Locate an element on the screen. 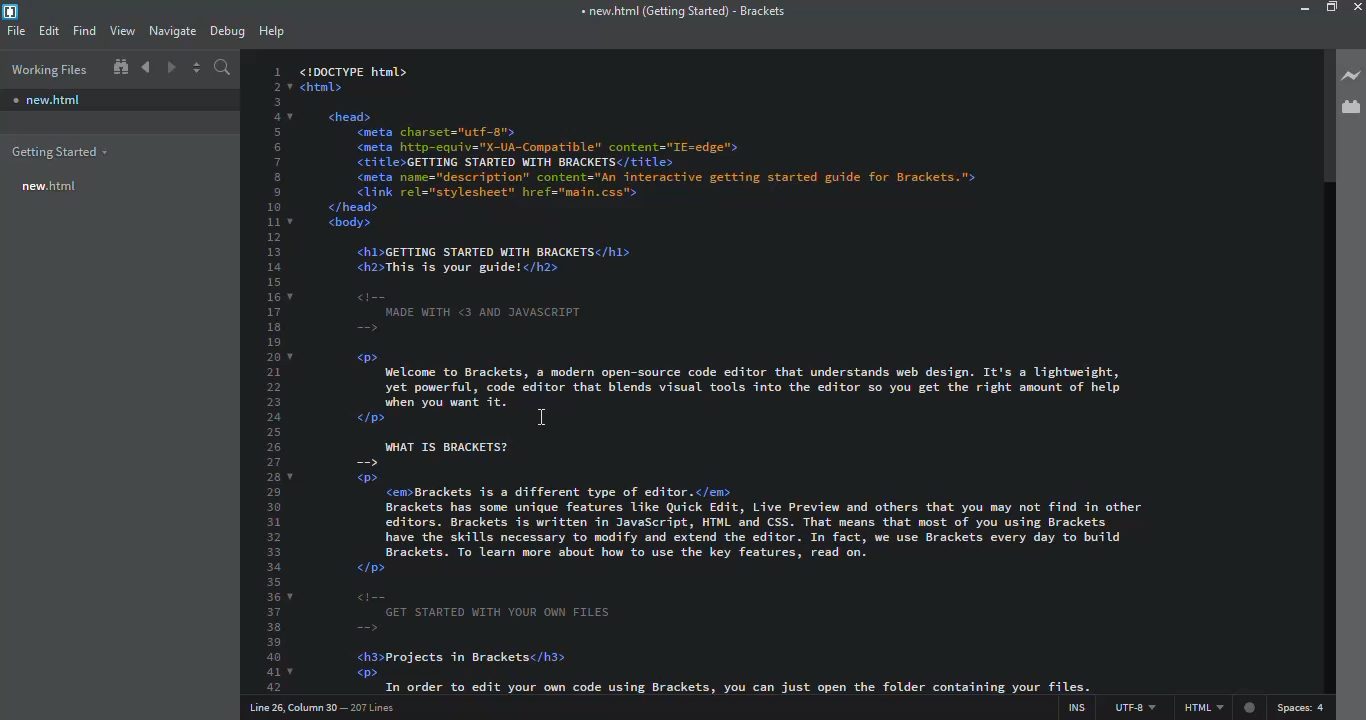  getting started is located at coordinates (62, 149).